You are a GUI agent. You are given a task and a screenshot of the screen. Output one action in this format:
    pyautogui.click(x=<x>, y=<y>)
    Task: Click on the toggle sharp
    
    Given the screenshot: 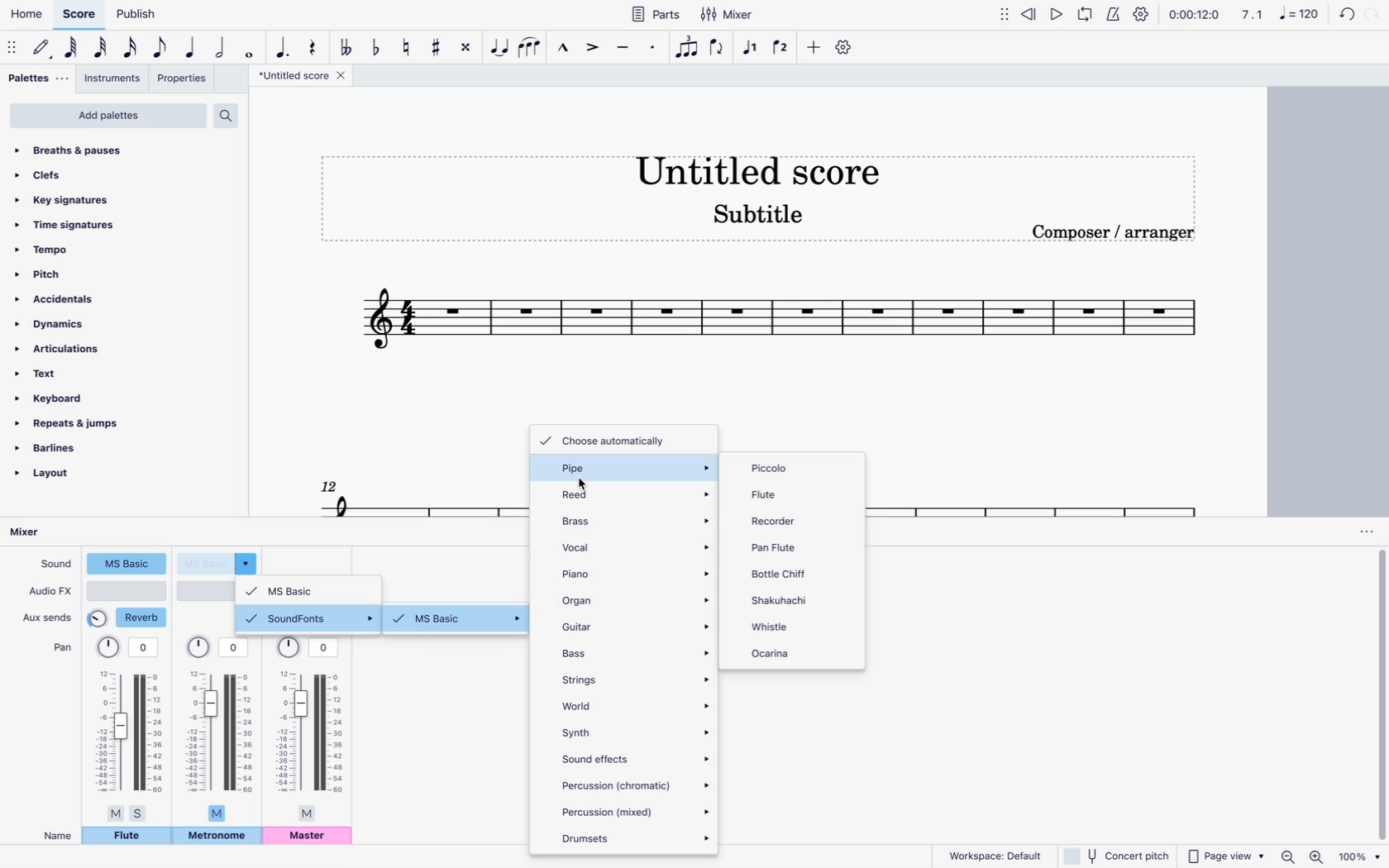 What is the action you would take?
    pyautogui.click(x=438, y=50)
    